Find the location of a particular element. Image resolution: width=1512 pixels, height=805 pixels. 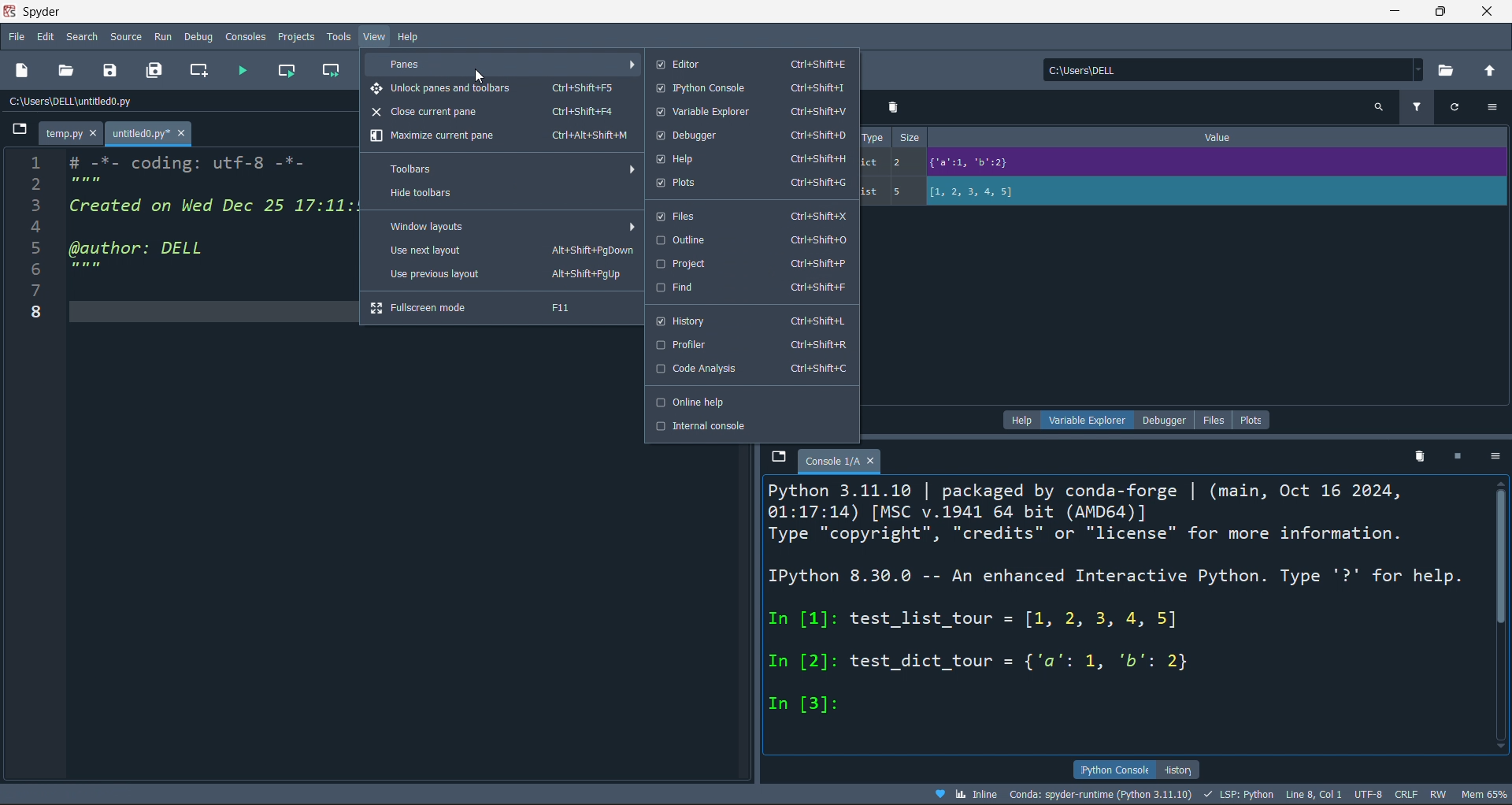

file is located at coordinates (1210, 418).